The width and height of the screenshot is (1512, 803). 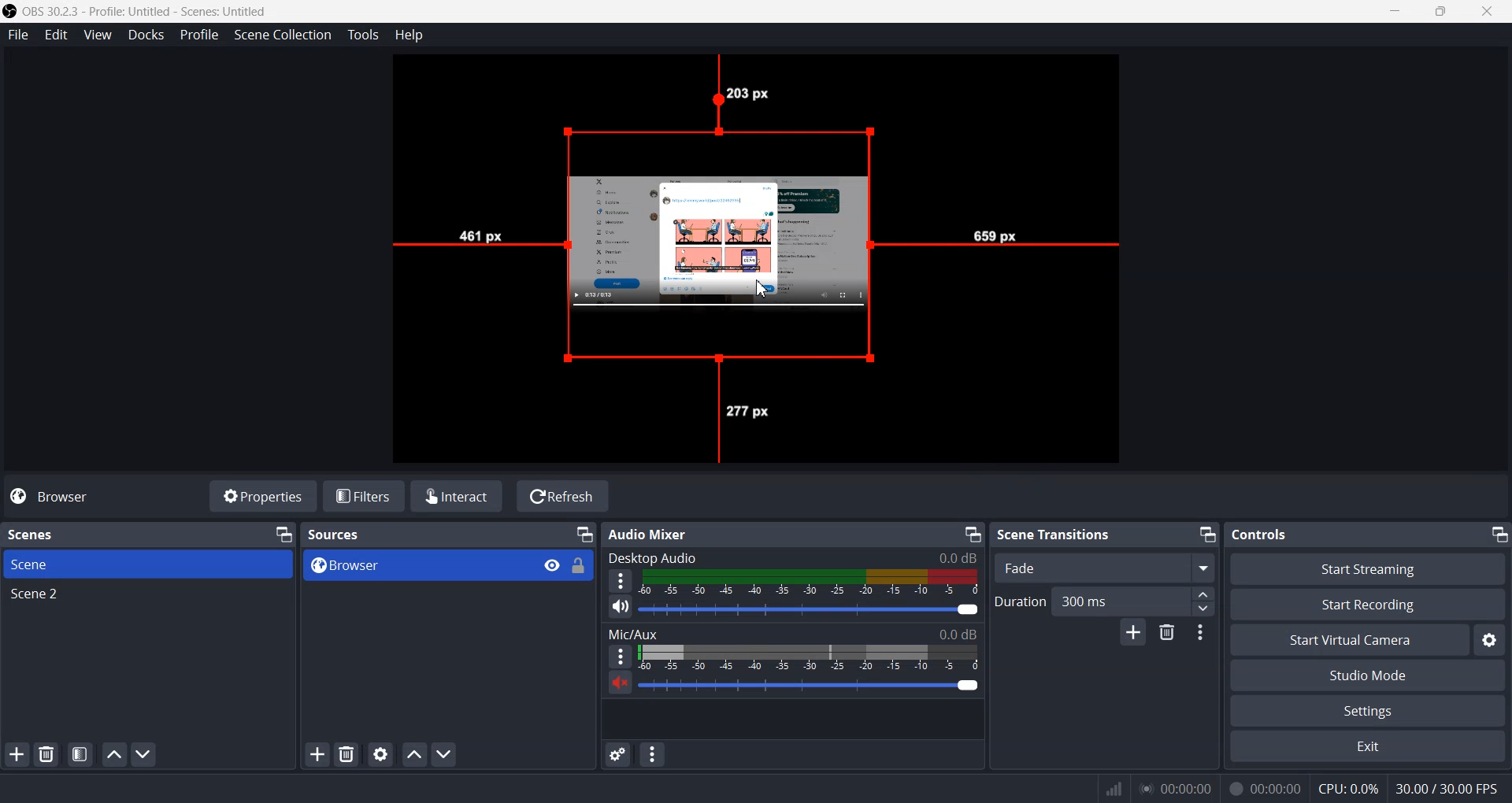 I want to click on View, so click(x=97, y=35).